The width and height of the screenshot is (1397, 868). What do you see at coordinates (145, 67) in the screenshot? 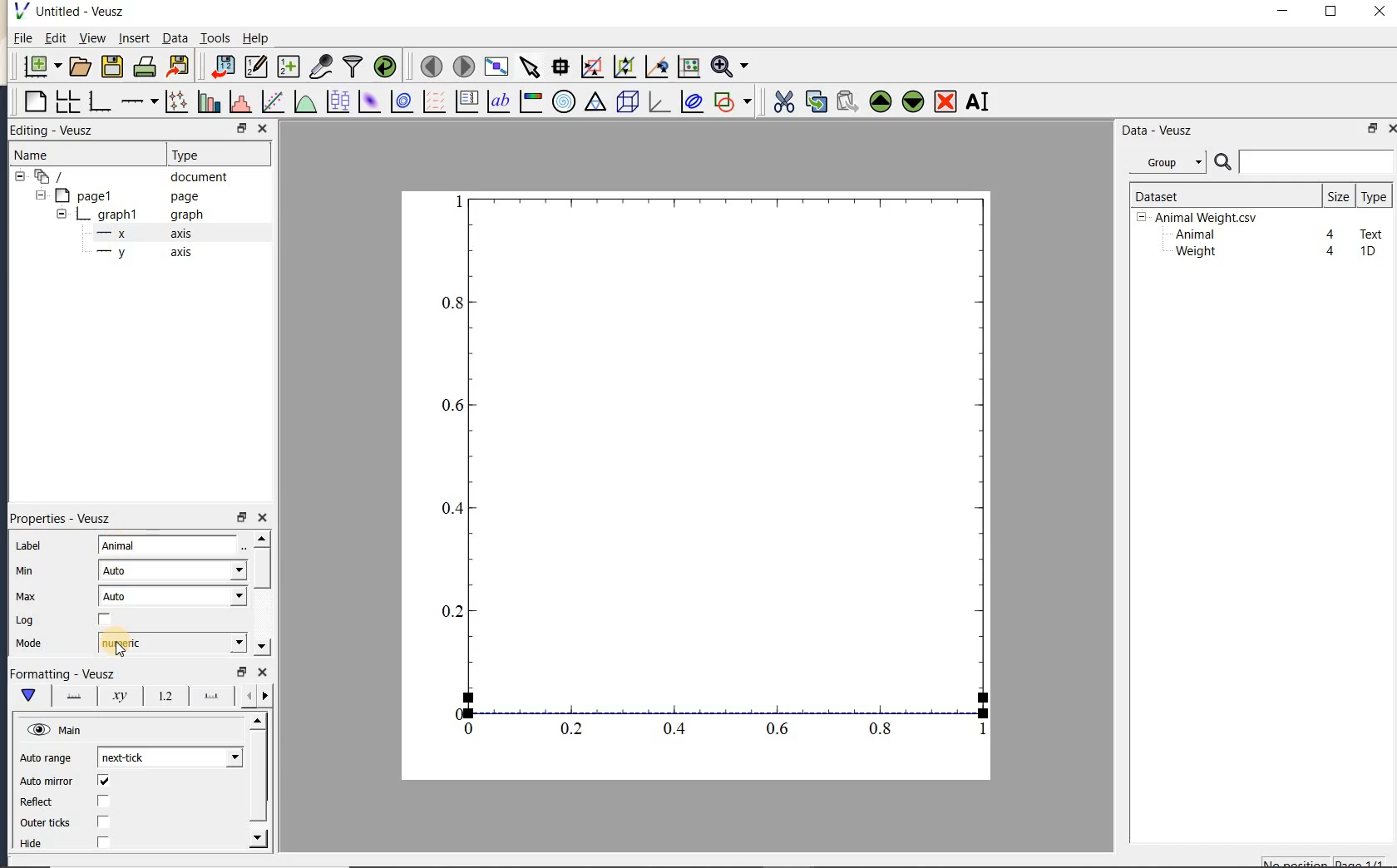
I see `print the document` at bounding box center [145, 67].